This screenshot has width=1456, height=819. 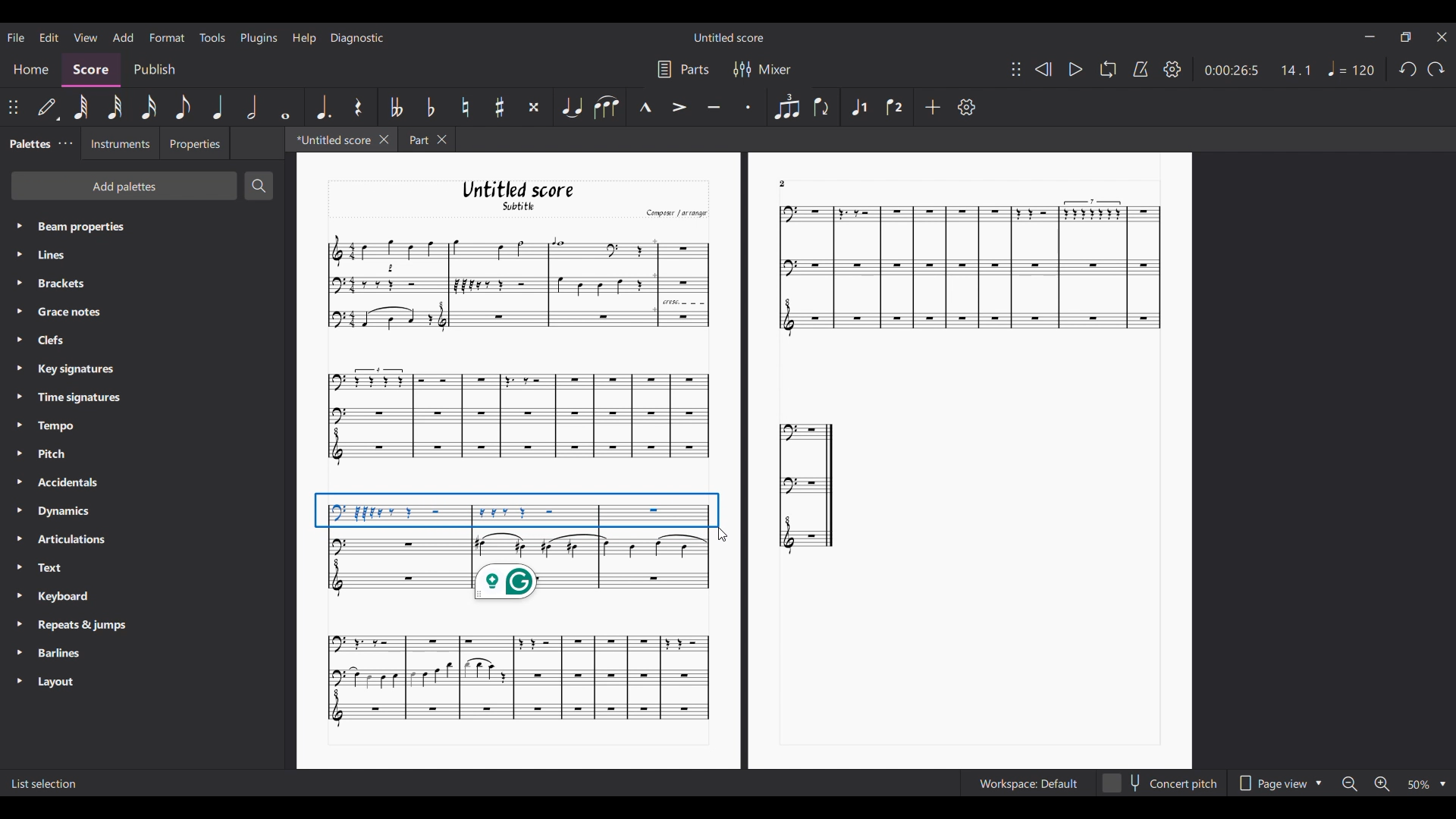 I want to click on Toggle sharp, so click(x=500, y=107).